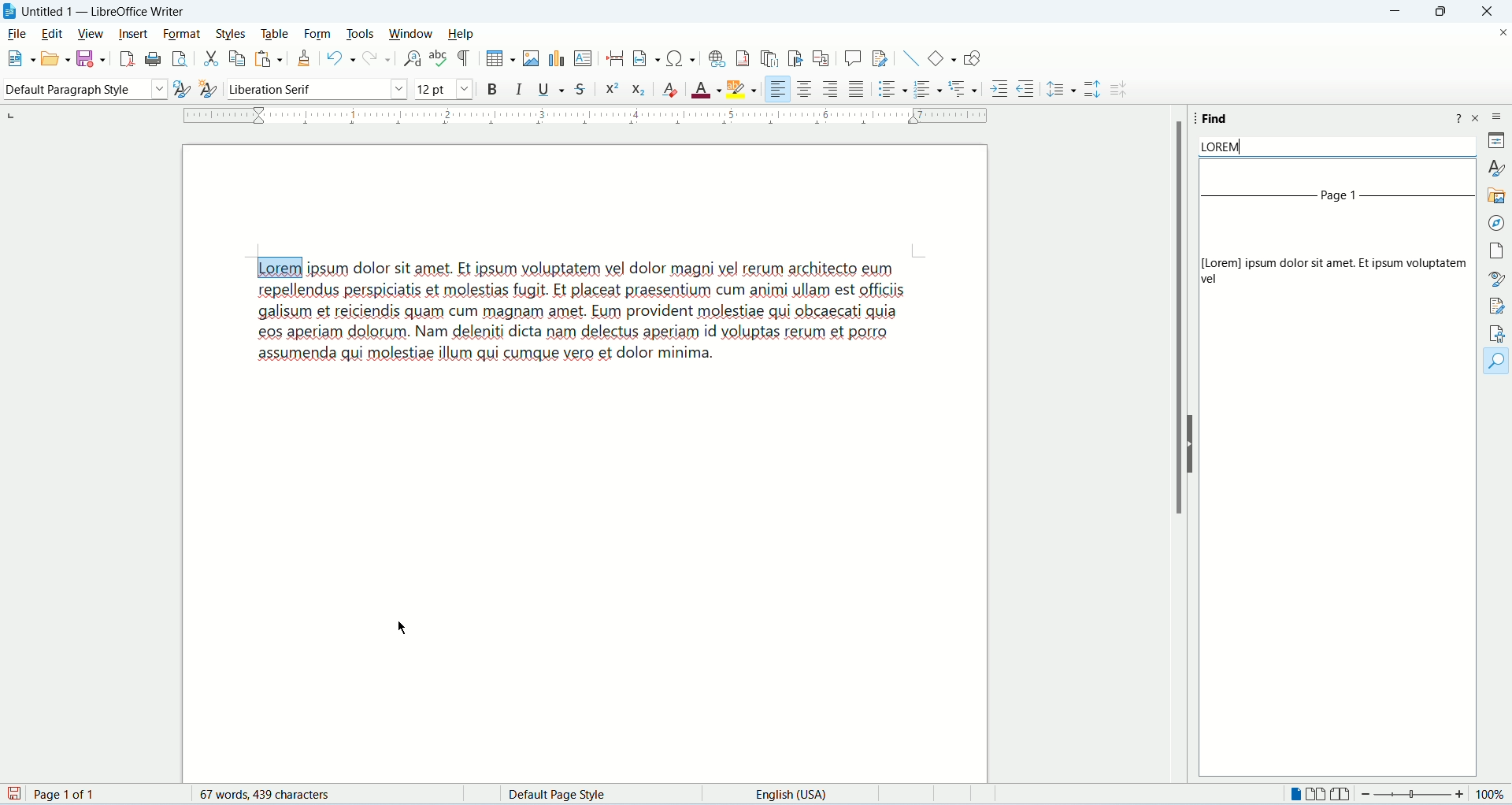  I want to click on font color, so click(706, 89).